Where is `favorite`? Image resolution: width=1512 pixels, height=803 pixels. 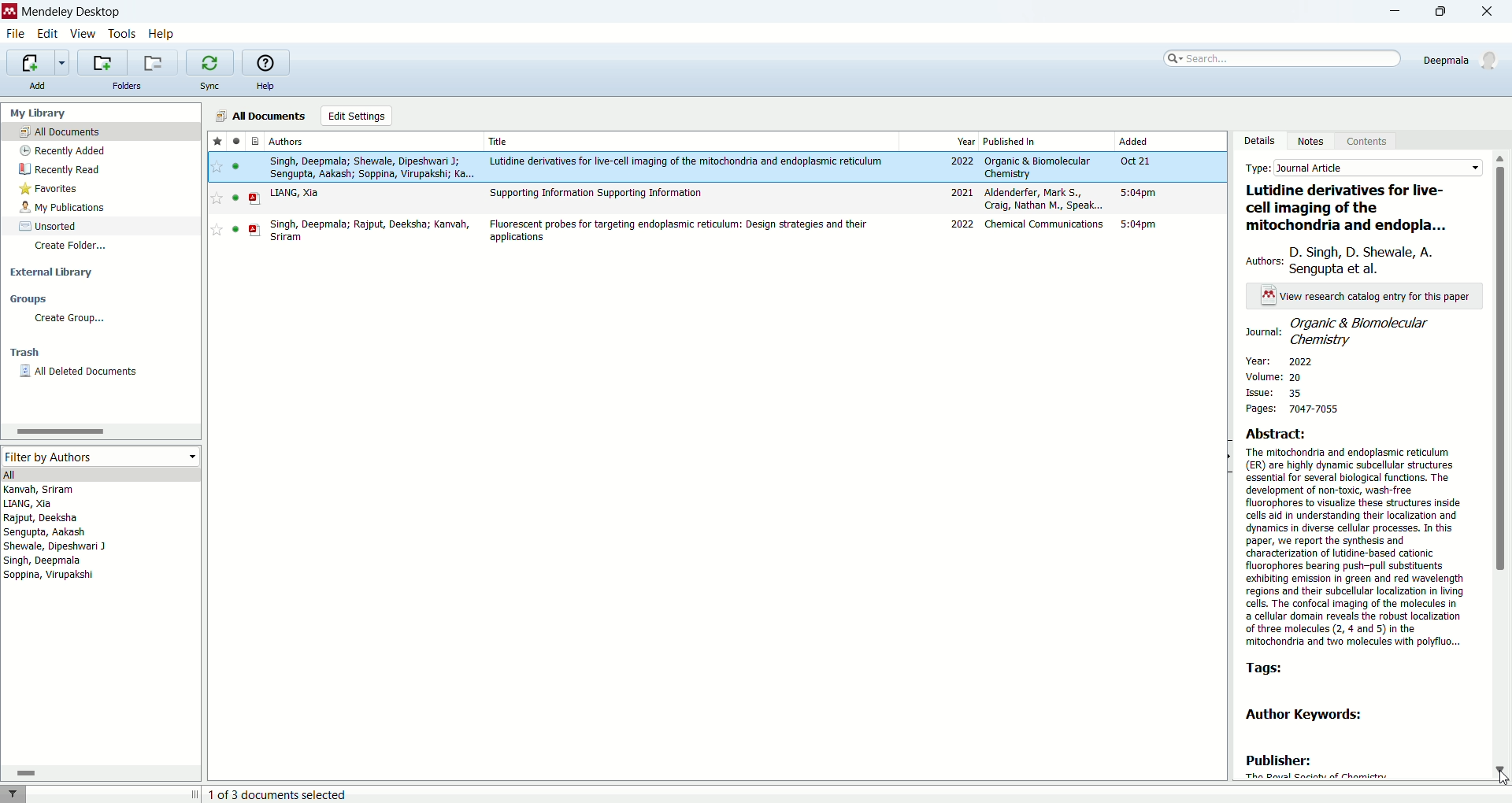
favorite is located at coordinates (217, 198).